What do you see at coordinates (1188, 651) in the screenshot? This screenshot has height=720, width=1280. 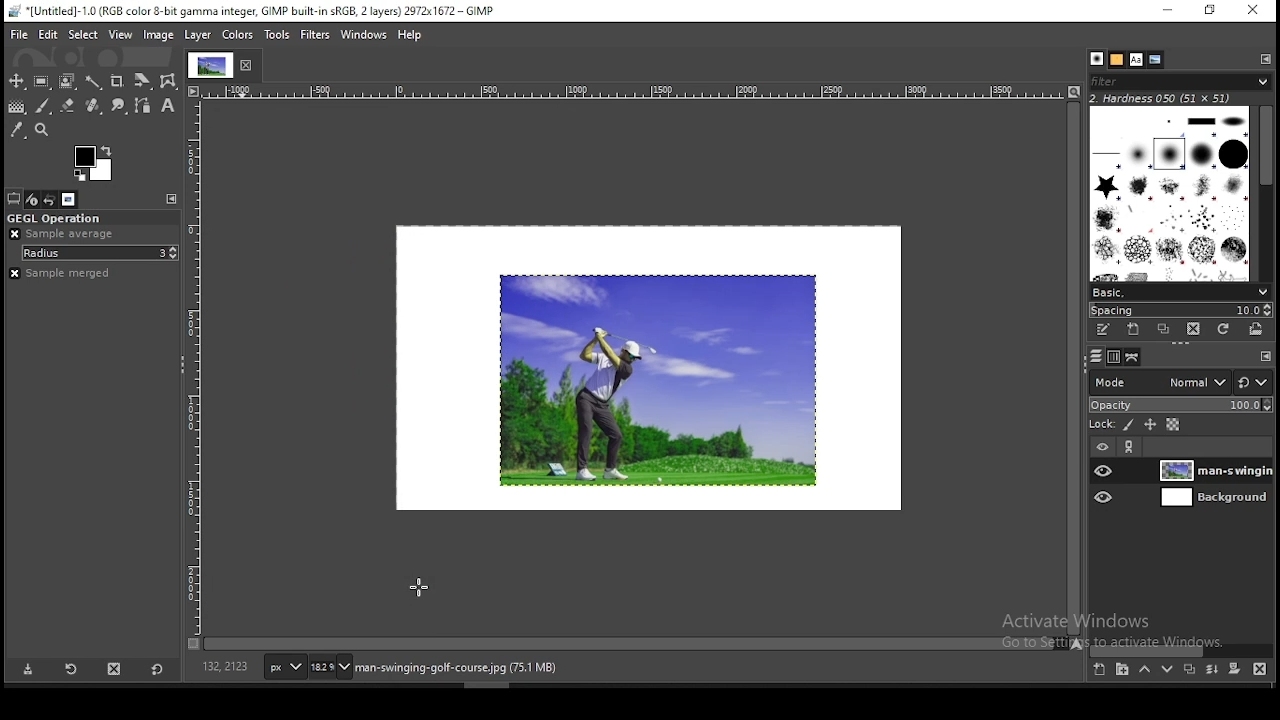 I see `scroll bar` at bounding box center [1188, 651].